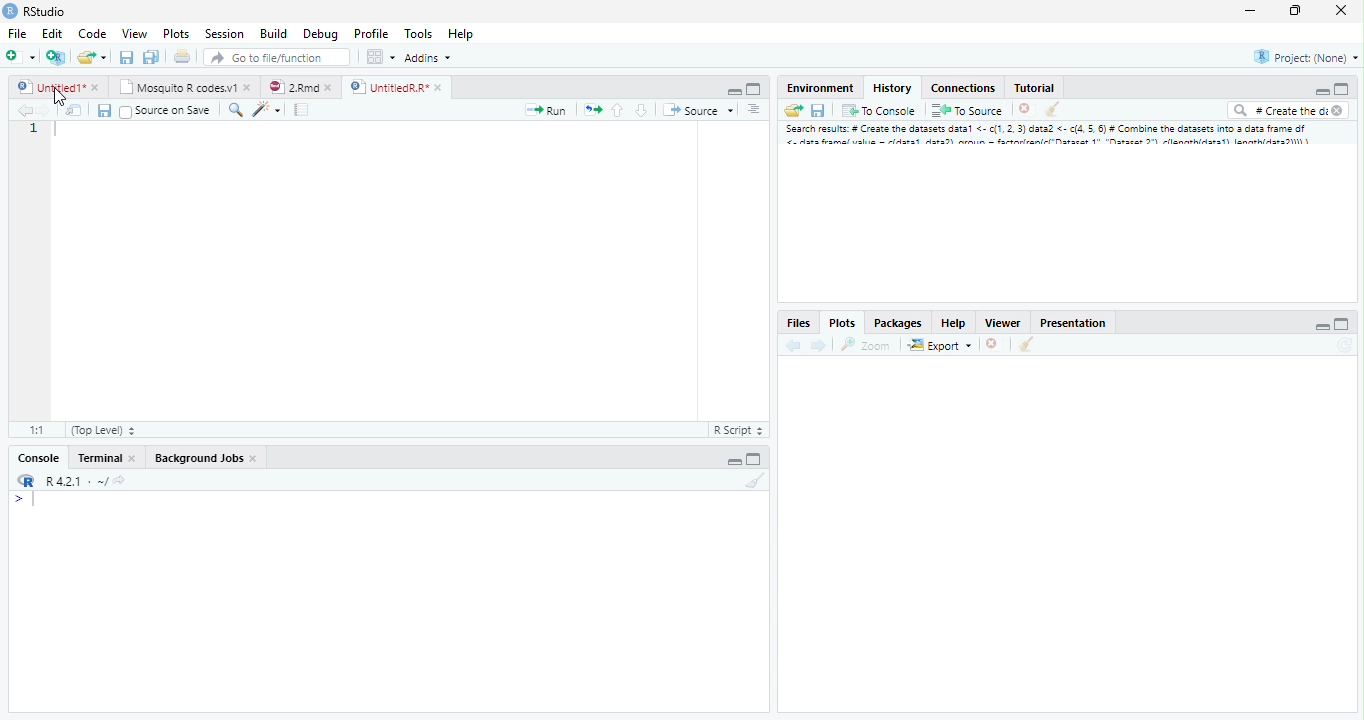 The width and height of the screenshot is (1364, 720). Describe the element at coordinates (17, 35) in the screenshot. I see `File` at that location.